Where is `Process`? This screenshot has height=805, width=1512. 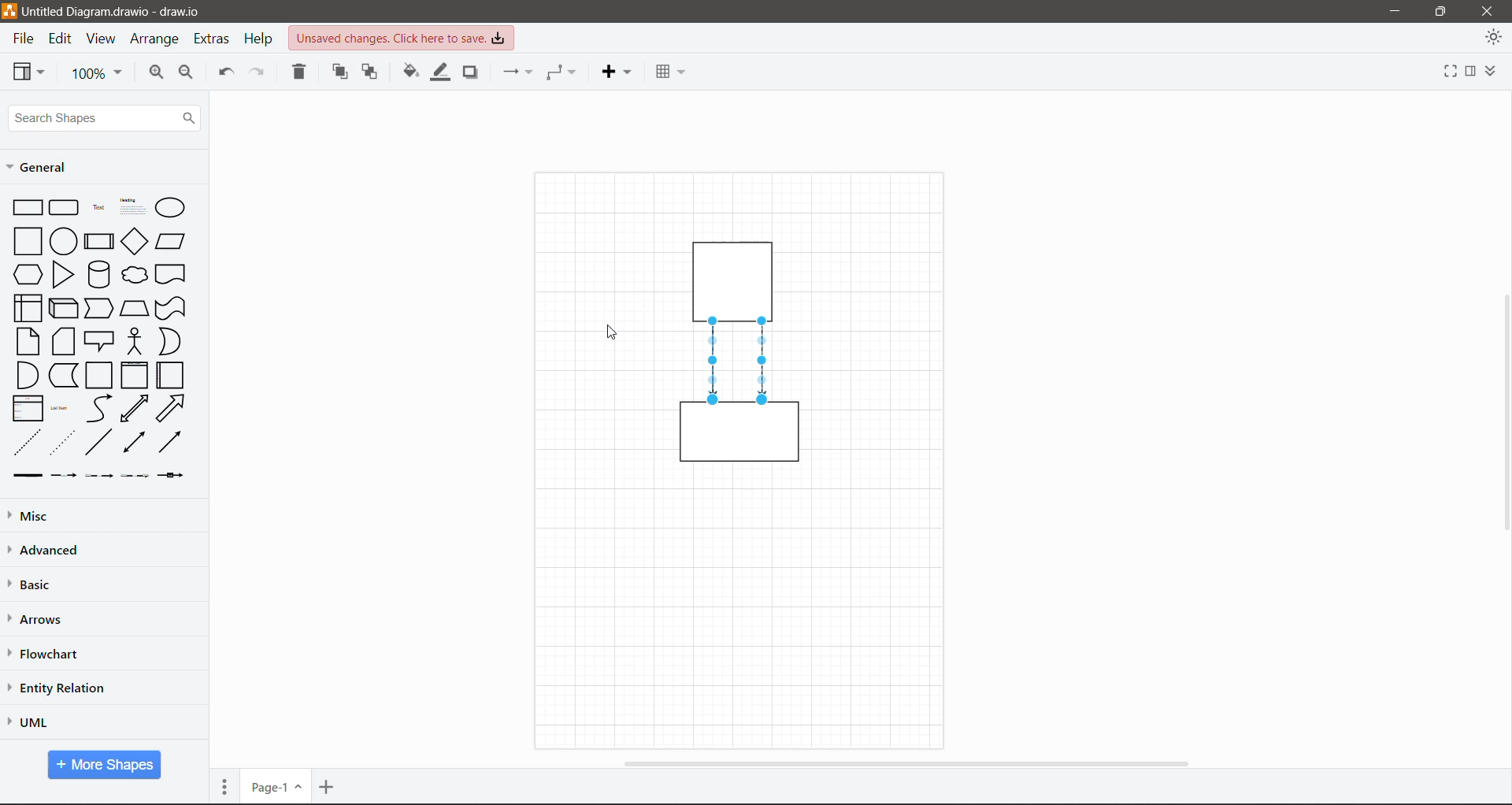 Process is located at coordinates (98, 239).